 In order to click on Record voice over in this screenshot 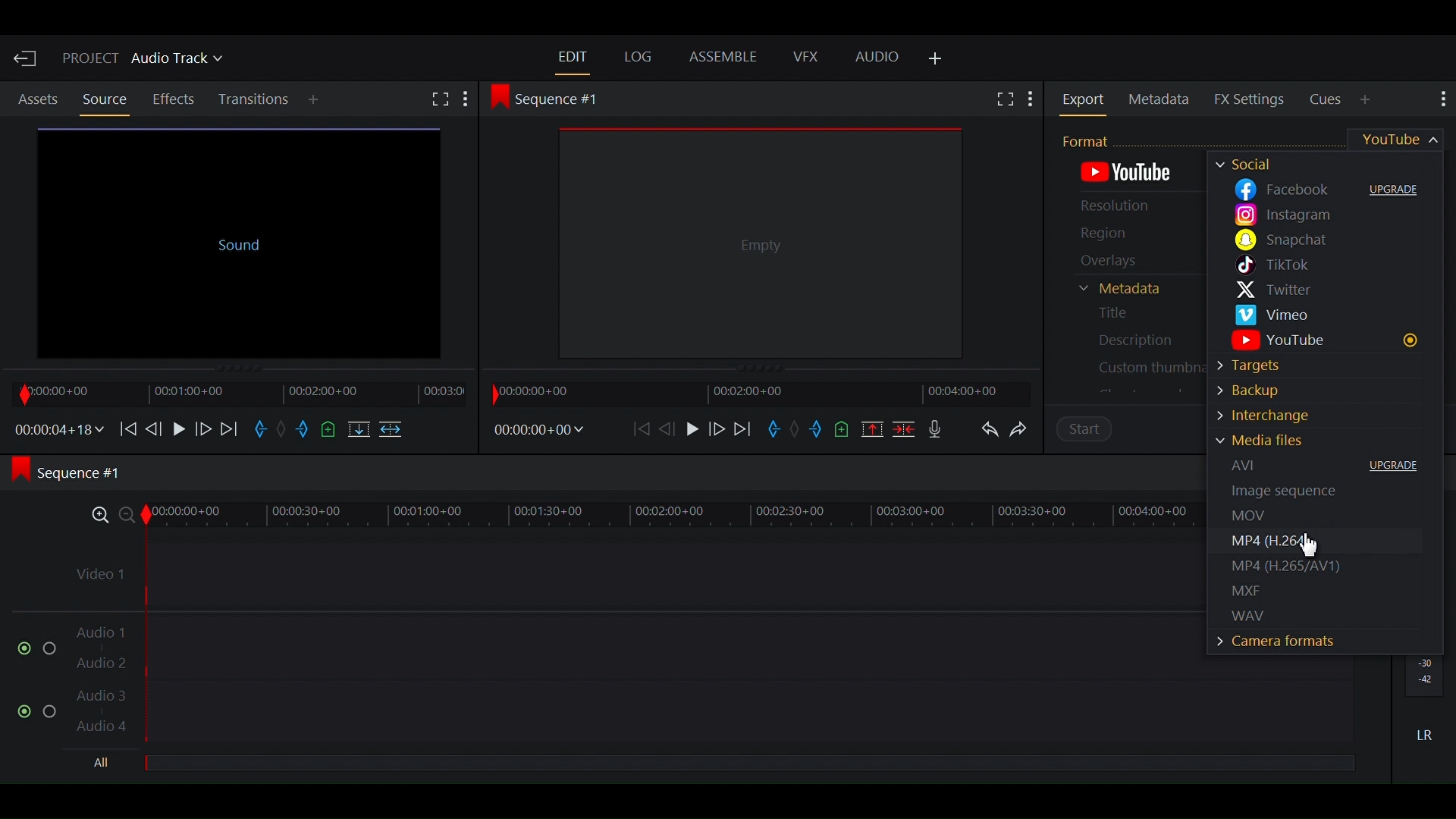, I will do `click(935, 428)`.